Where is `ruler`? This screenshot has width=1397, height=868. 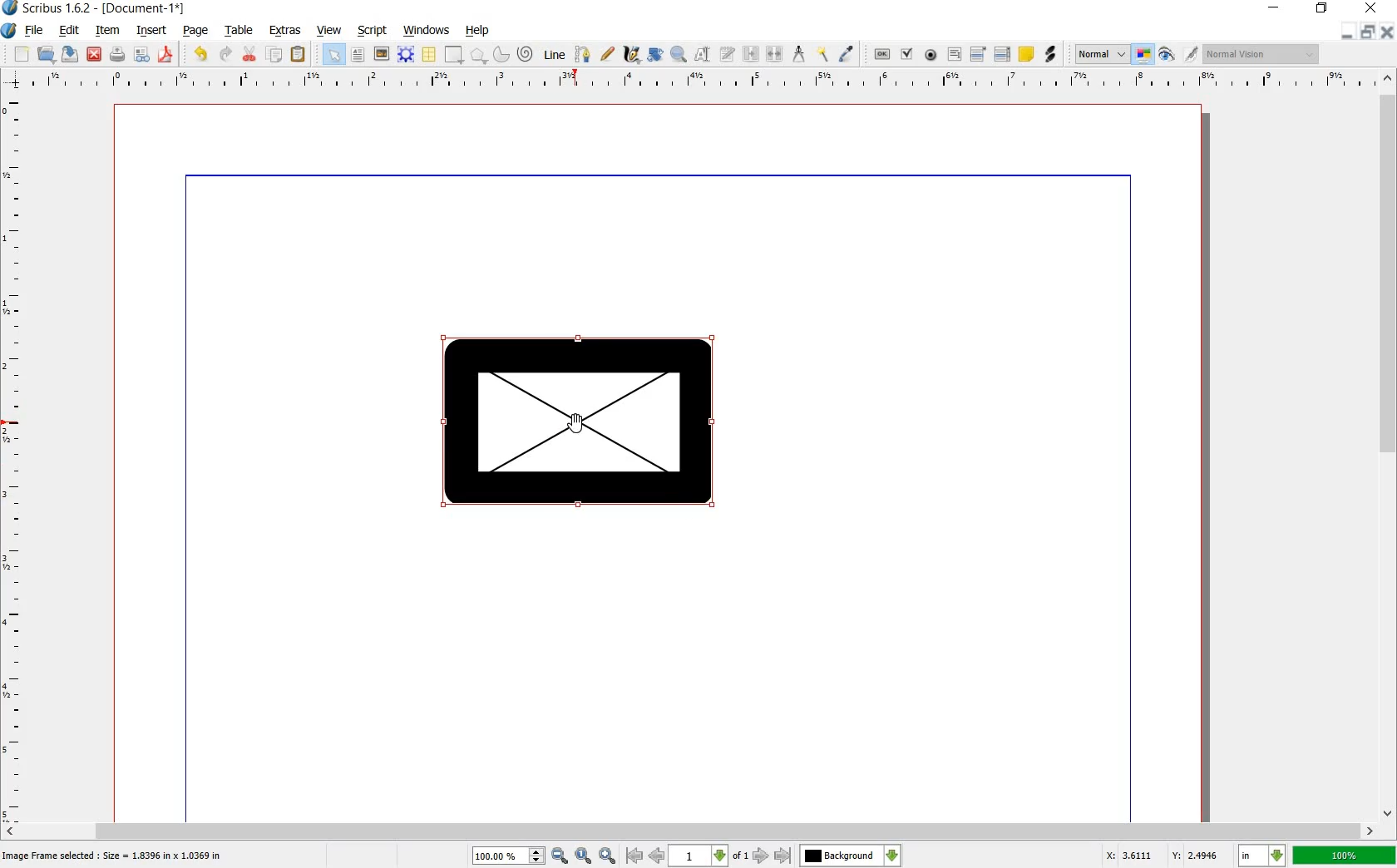 ruler is located at coordinates (700, 81).